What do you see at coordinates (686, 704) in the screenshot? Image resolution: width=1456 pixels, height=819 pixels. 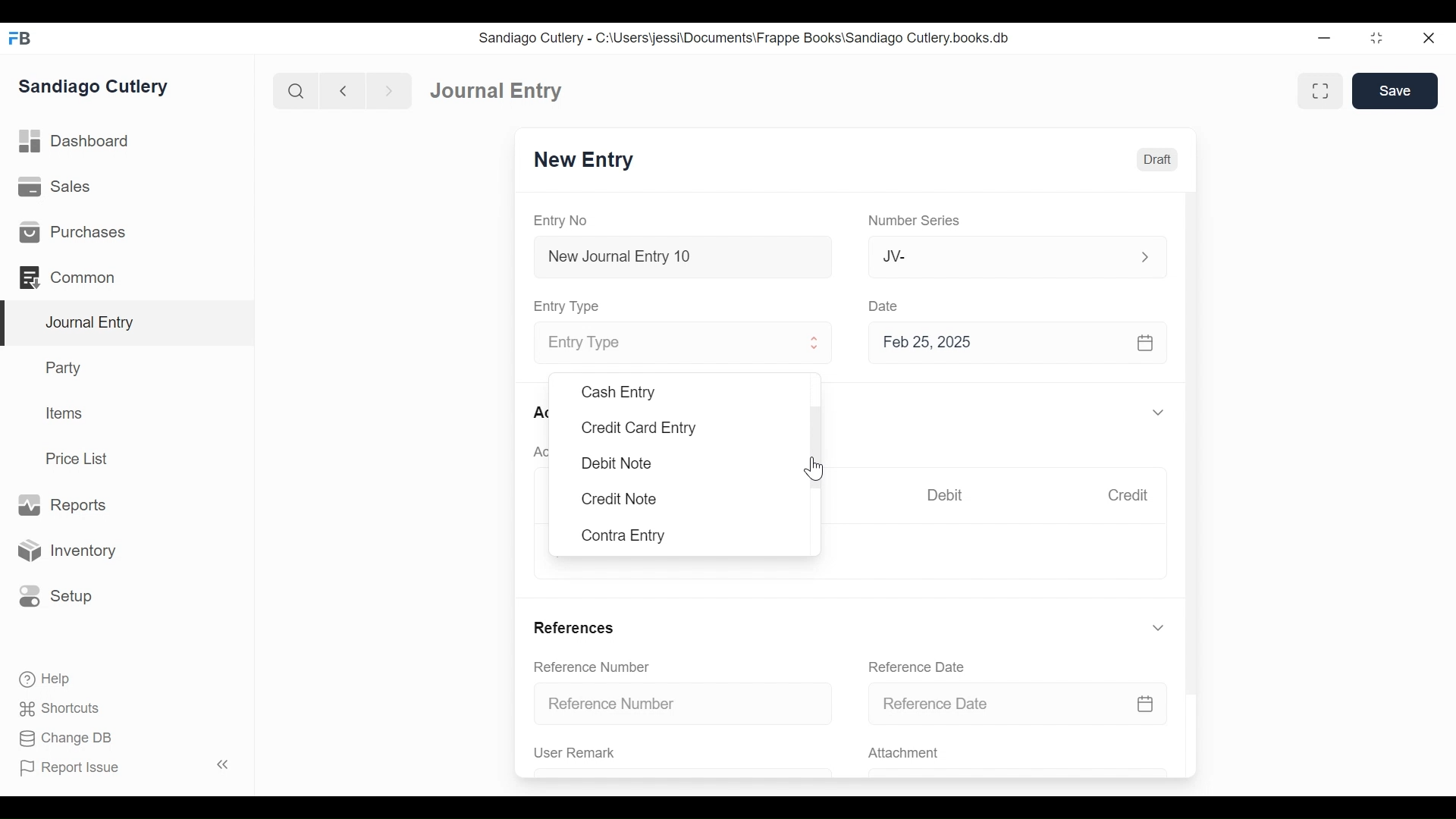 I see `Reference Number` at bounding box center [686, 704].